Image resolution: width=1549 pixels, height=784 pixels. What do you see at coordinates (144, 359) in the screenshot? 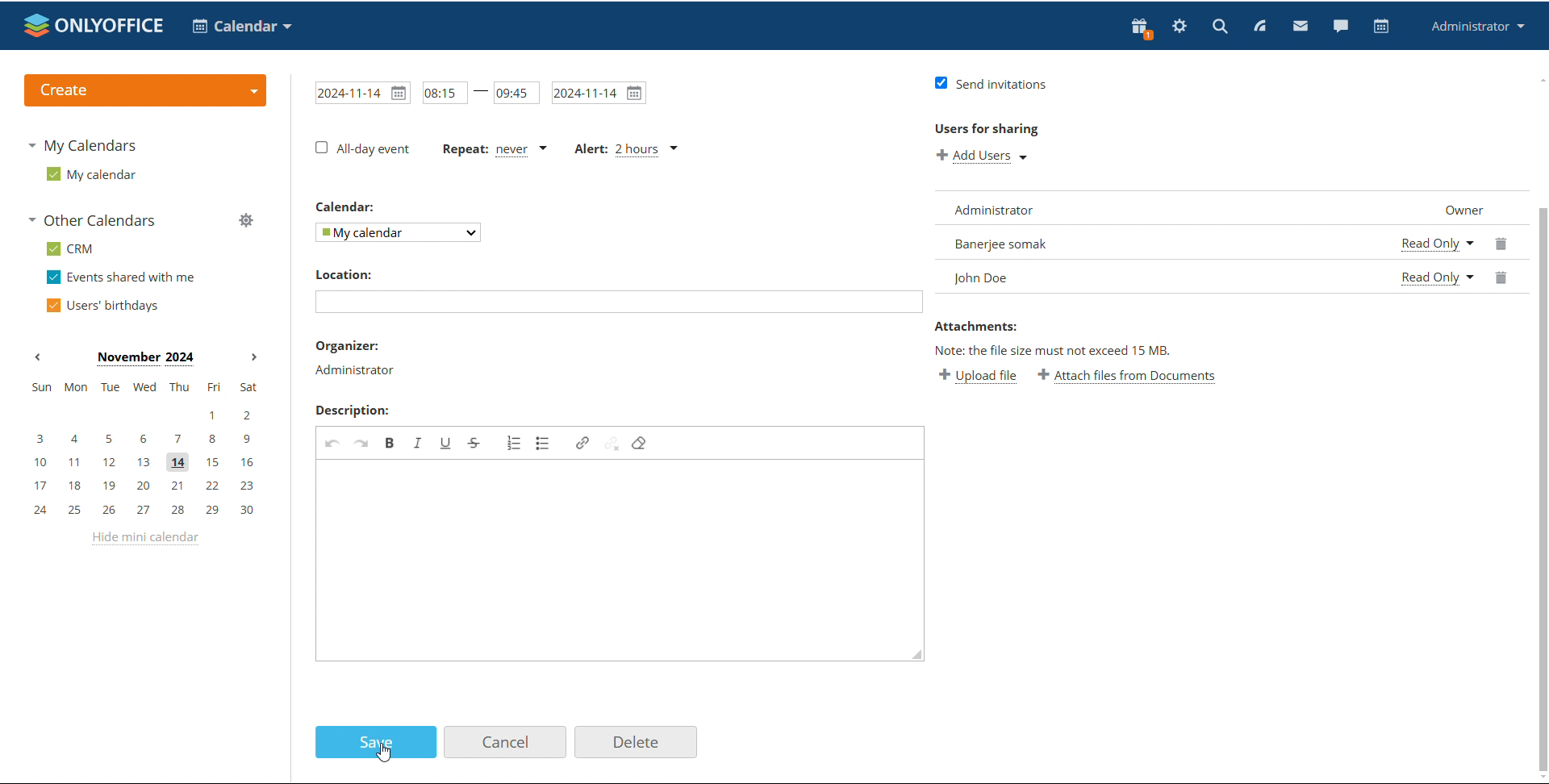
I see `current month` at bounding box center [144, 359].